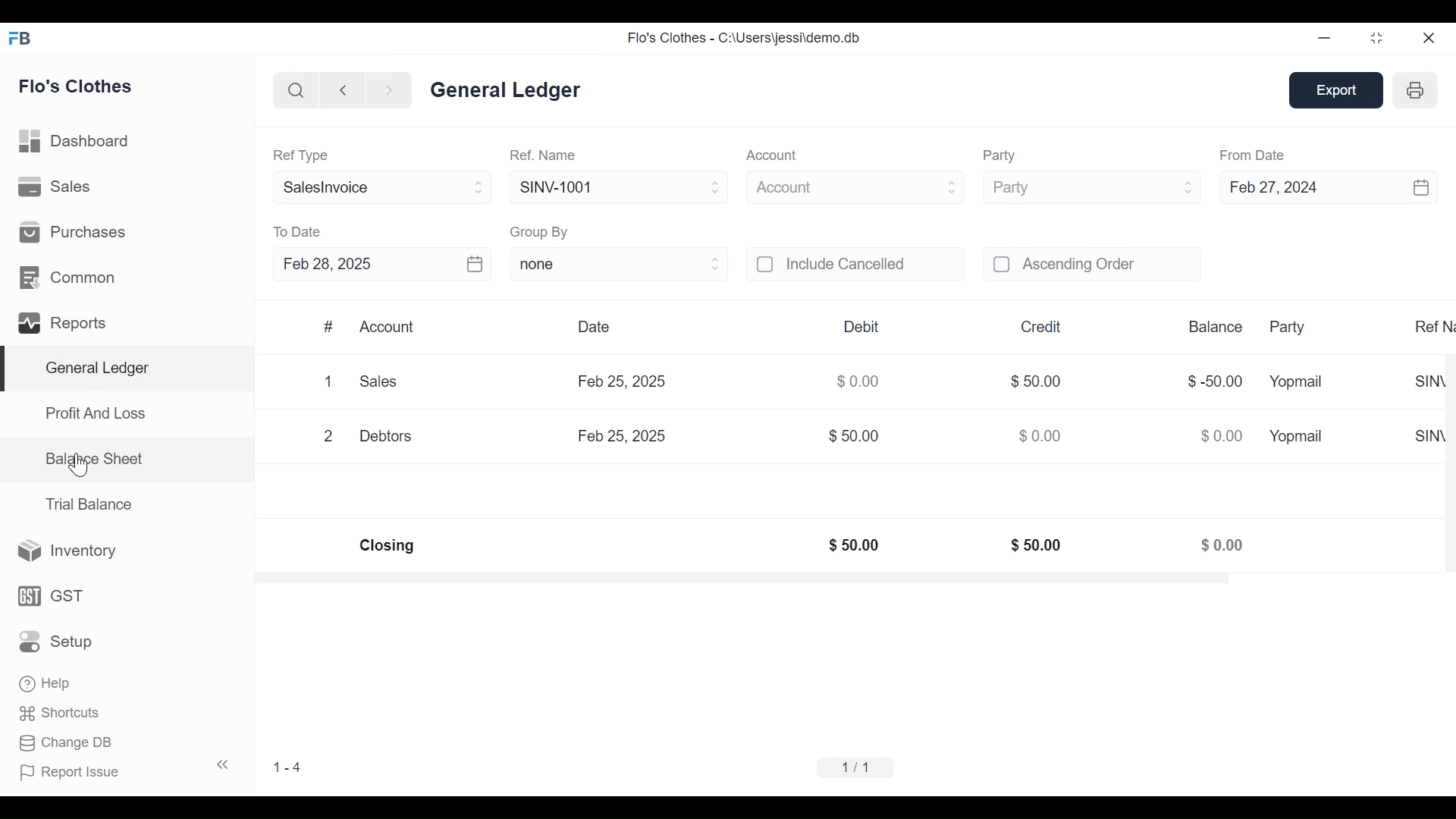 This screenshot has height=819, width=1456. Describe the element at coordinates (65, 324) in the screenshot. I see `reports` at that location.